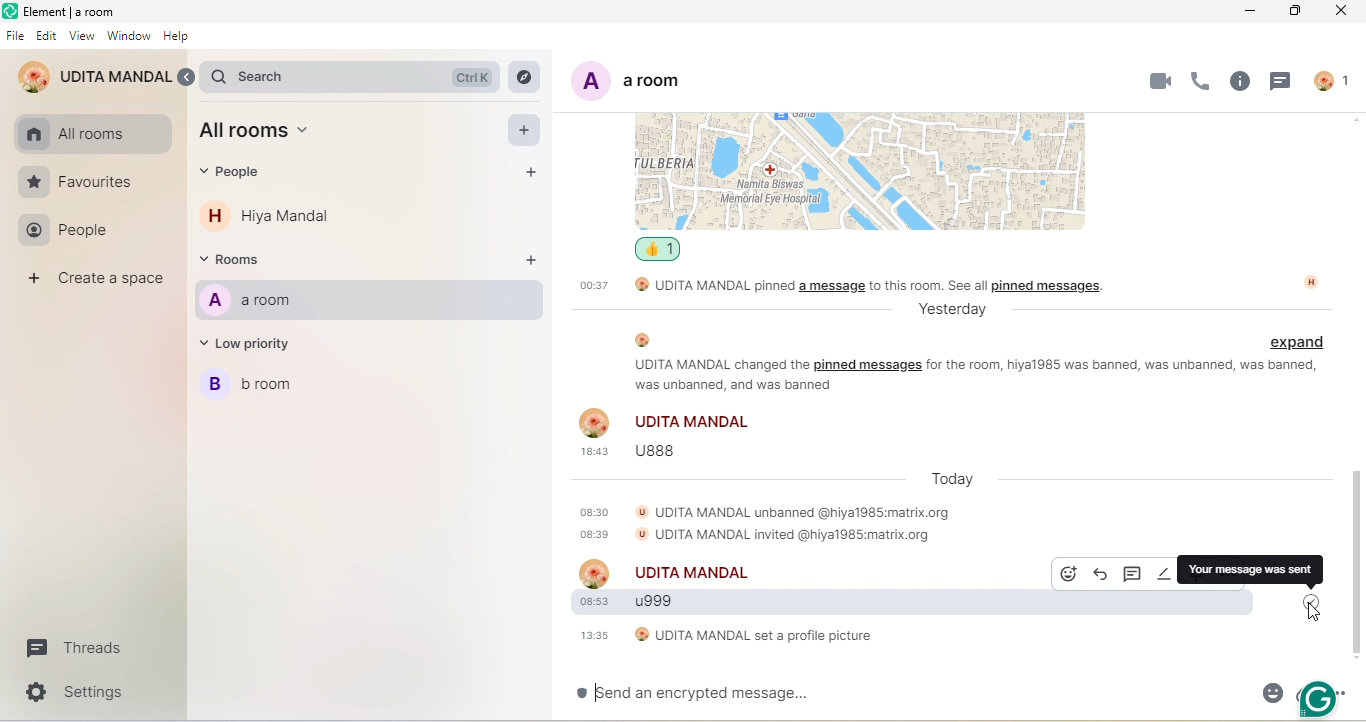 The height and width of the screenshot is (722, 1366). I want to click on Your message was sent, so click(1253, 569).